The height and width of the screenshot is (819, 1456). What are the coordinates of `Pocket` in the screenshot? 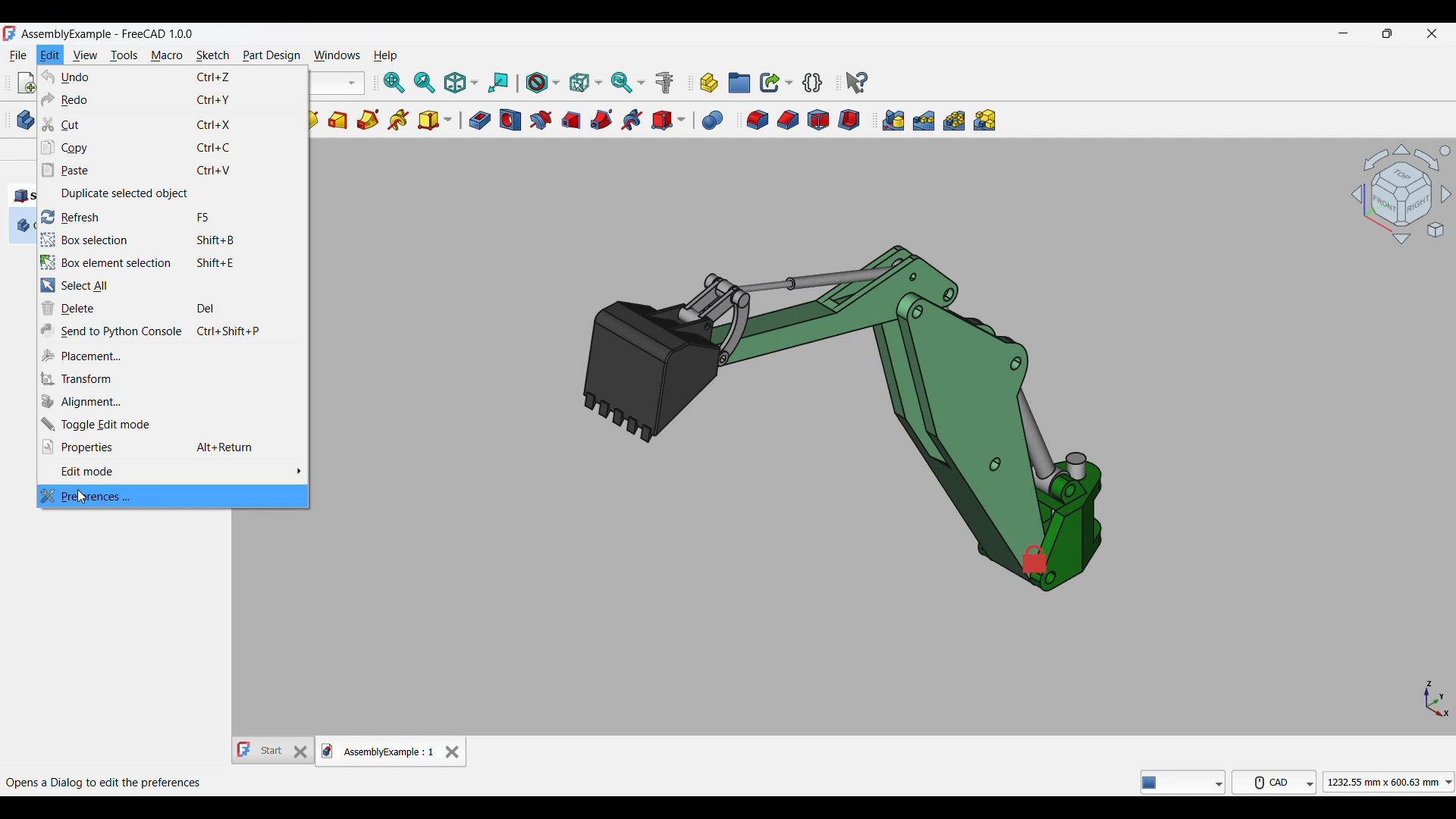 It's located at (480, 121).